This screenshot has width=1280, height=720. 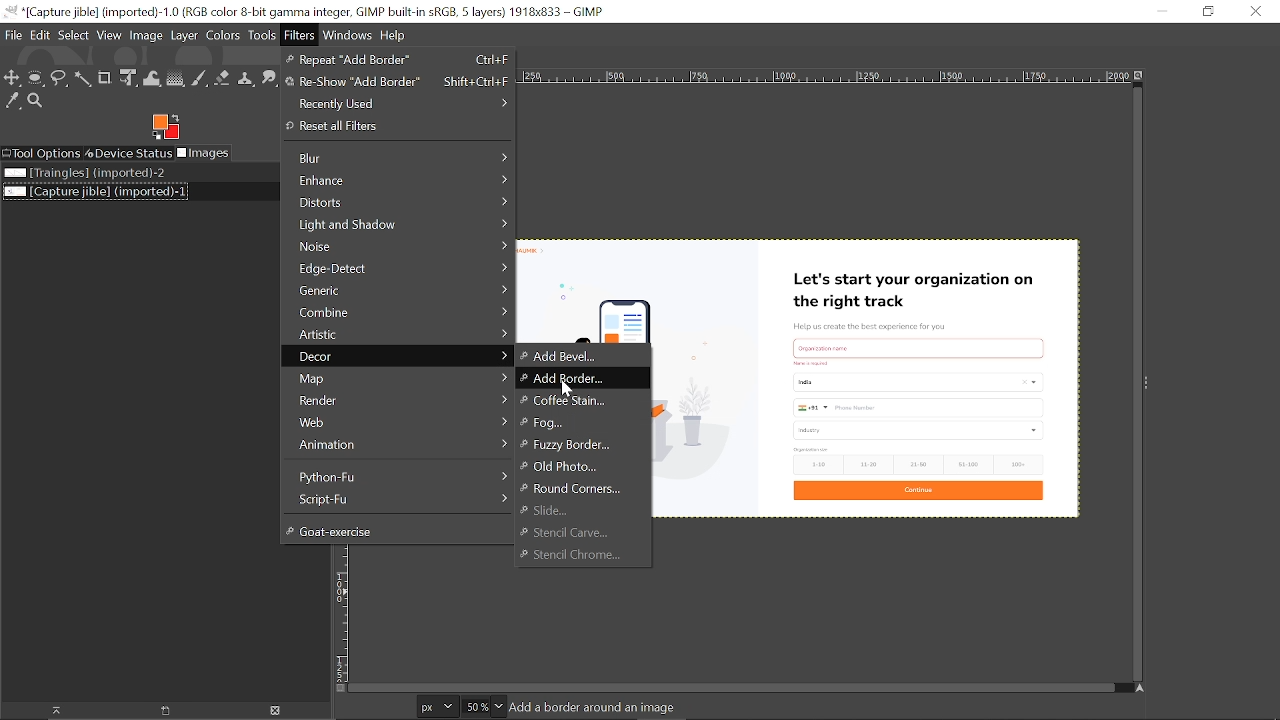 I want to click on Fuzzy Border, so click(x=566, y=445).